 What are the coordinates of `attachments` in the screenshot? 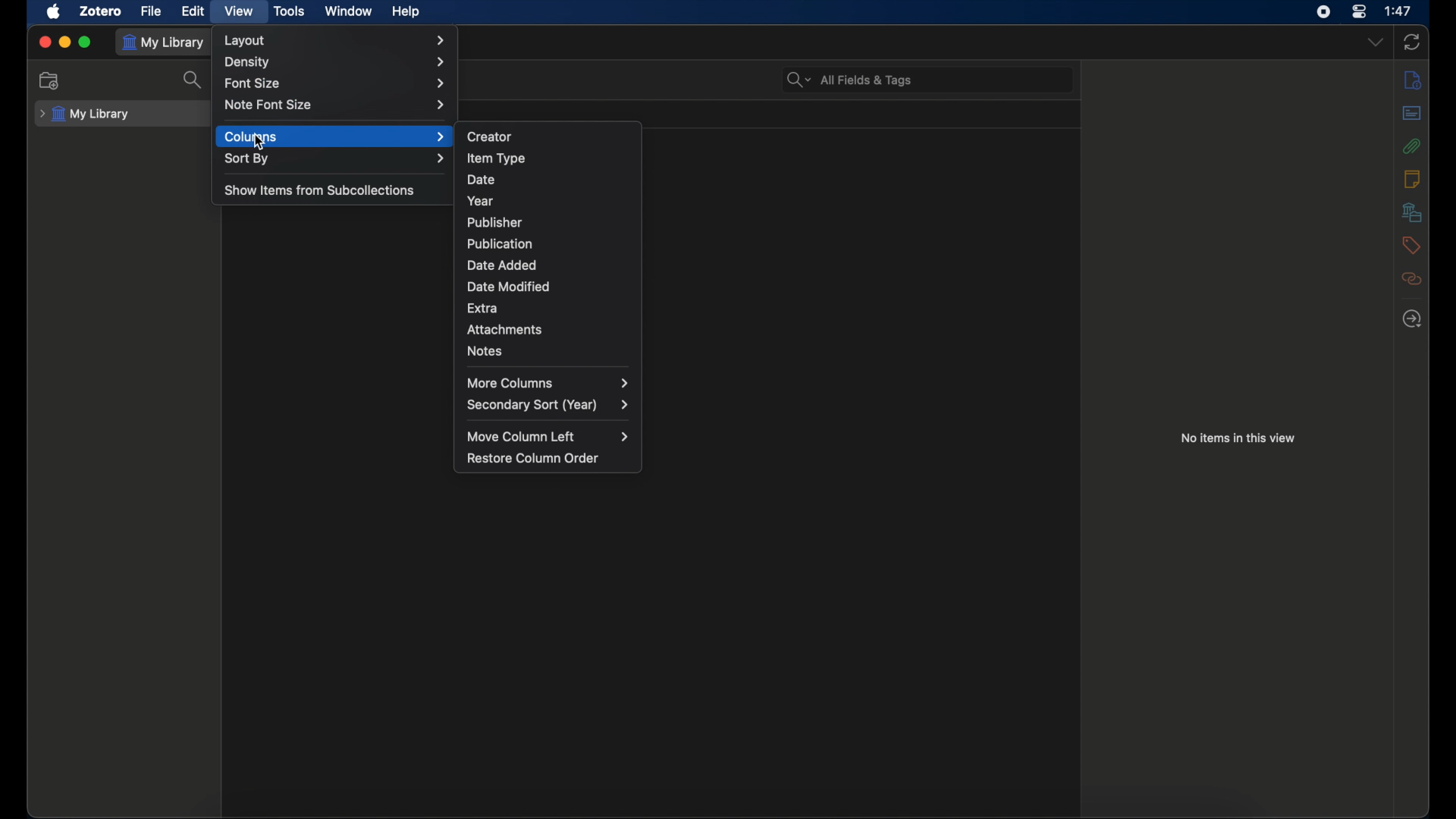 It's located at (1412, 146).